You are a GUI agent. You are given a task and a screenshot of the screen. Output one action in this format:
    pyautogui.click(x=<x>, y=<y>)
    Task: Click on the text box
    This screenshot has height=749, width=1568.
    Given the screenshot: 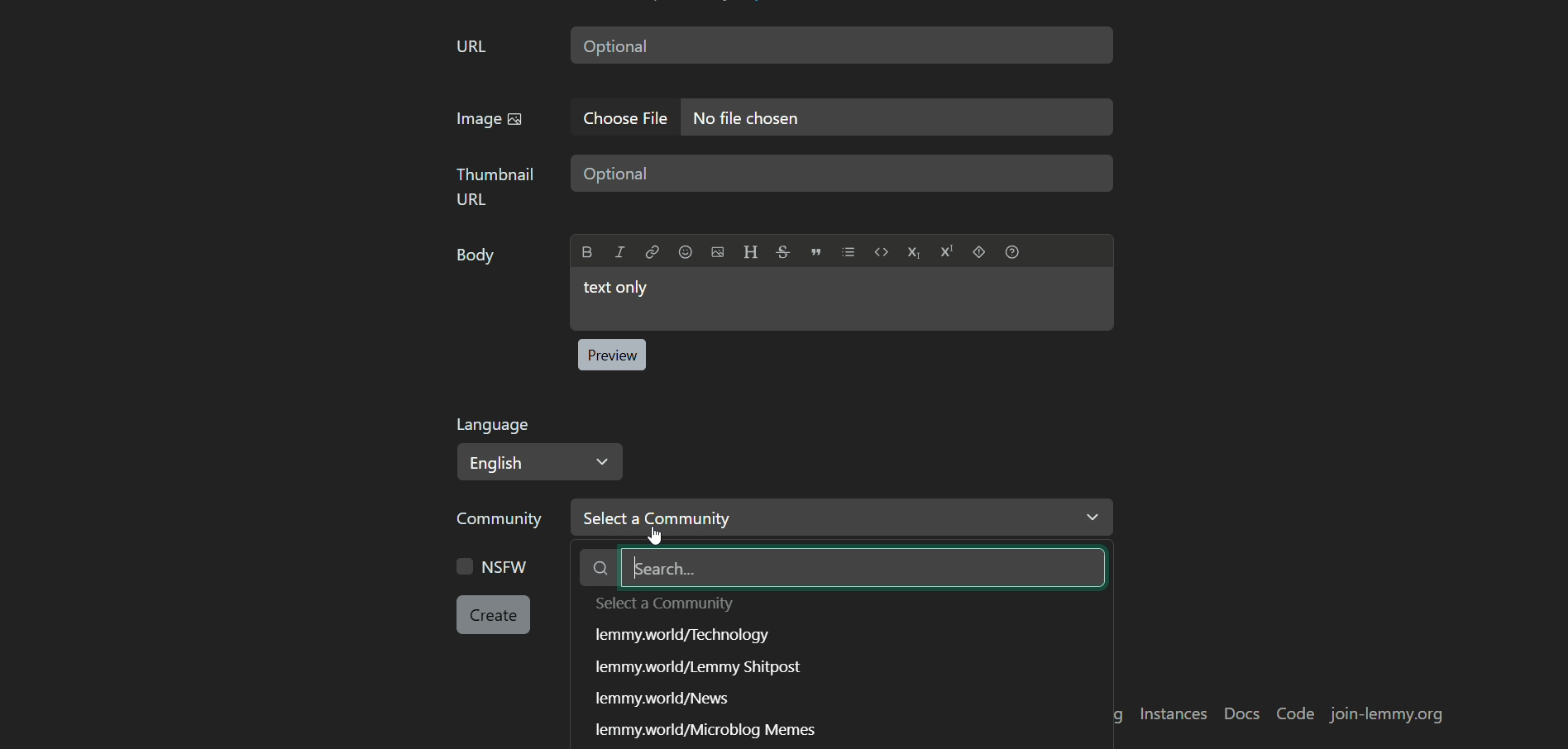 What is the action you would take?
    pyautogui.click(x=899, y=117)
    